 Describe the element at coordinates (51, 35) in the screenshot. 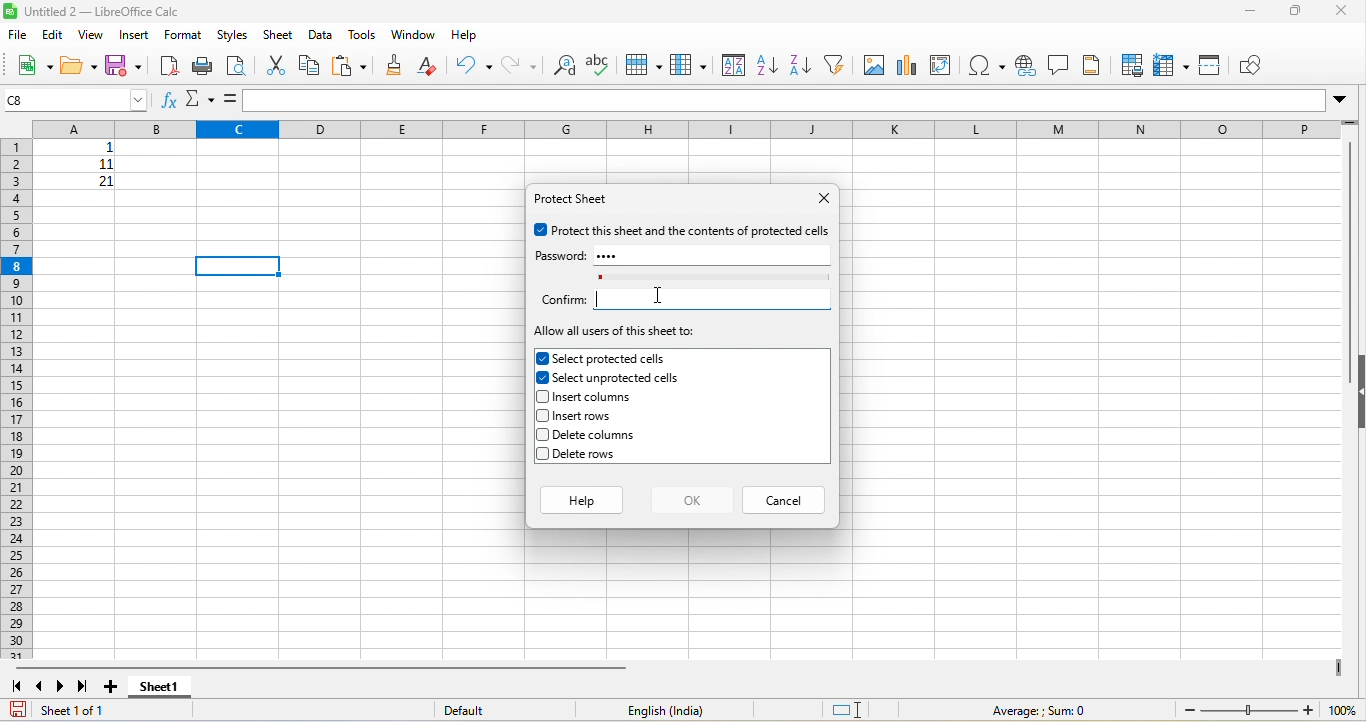

I see `edit` at that location.